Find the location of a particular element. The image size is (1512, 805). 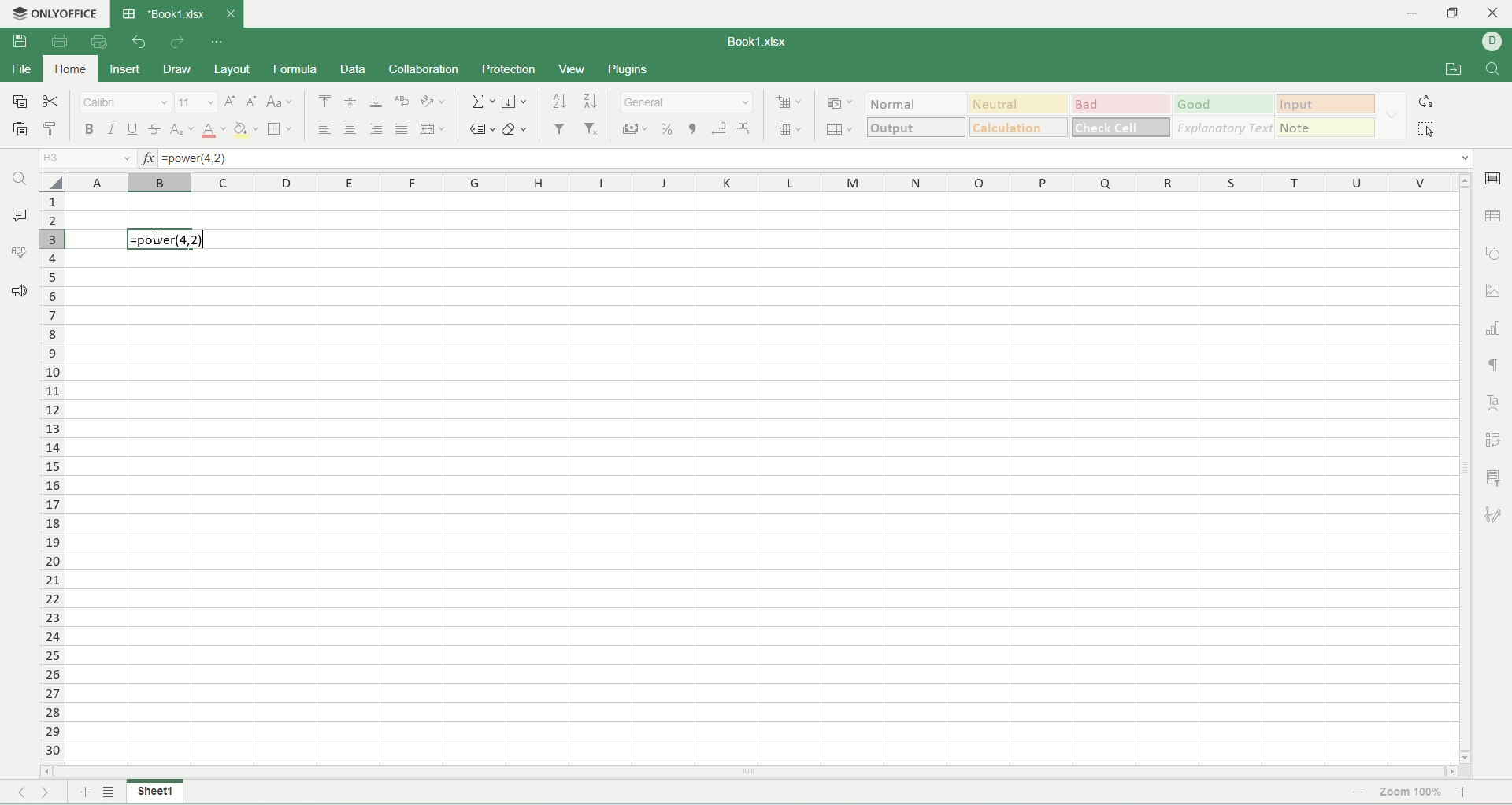

vertical scroll bar is located at coordinates (1466, 468).